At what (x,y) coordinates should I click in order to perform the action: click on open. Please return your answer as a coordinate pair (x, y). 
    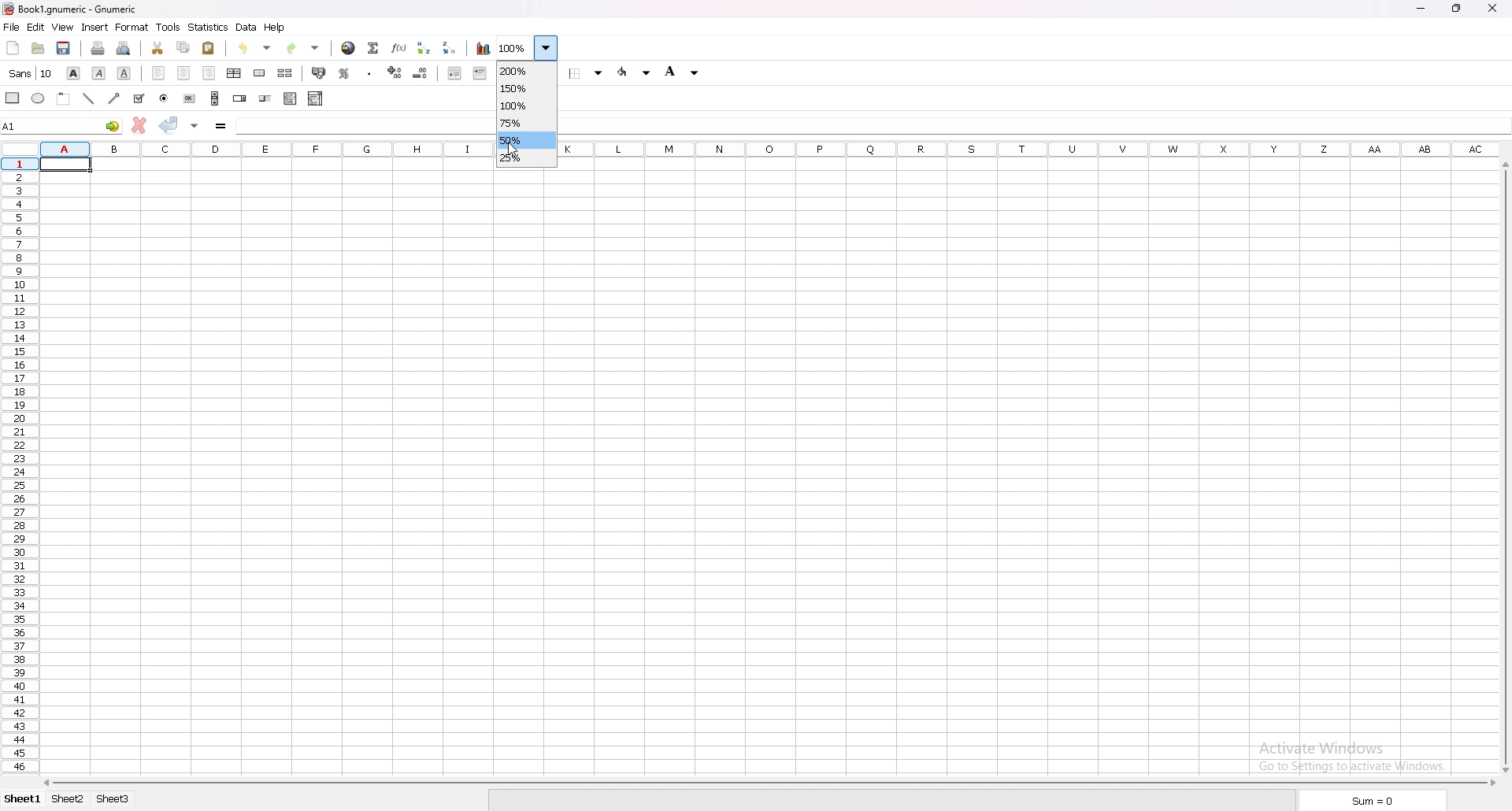
    Looking at the image, I should click on (38, 49).